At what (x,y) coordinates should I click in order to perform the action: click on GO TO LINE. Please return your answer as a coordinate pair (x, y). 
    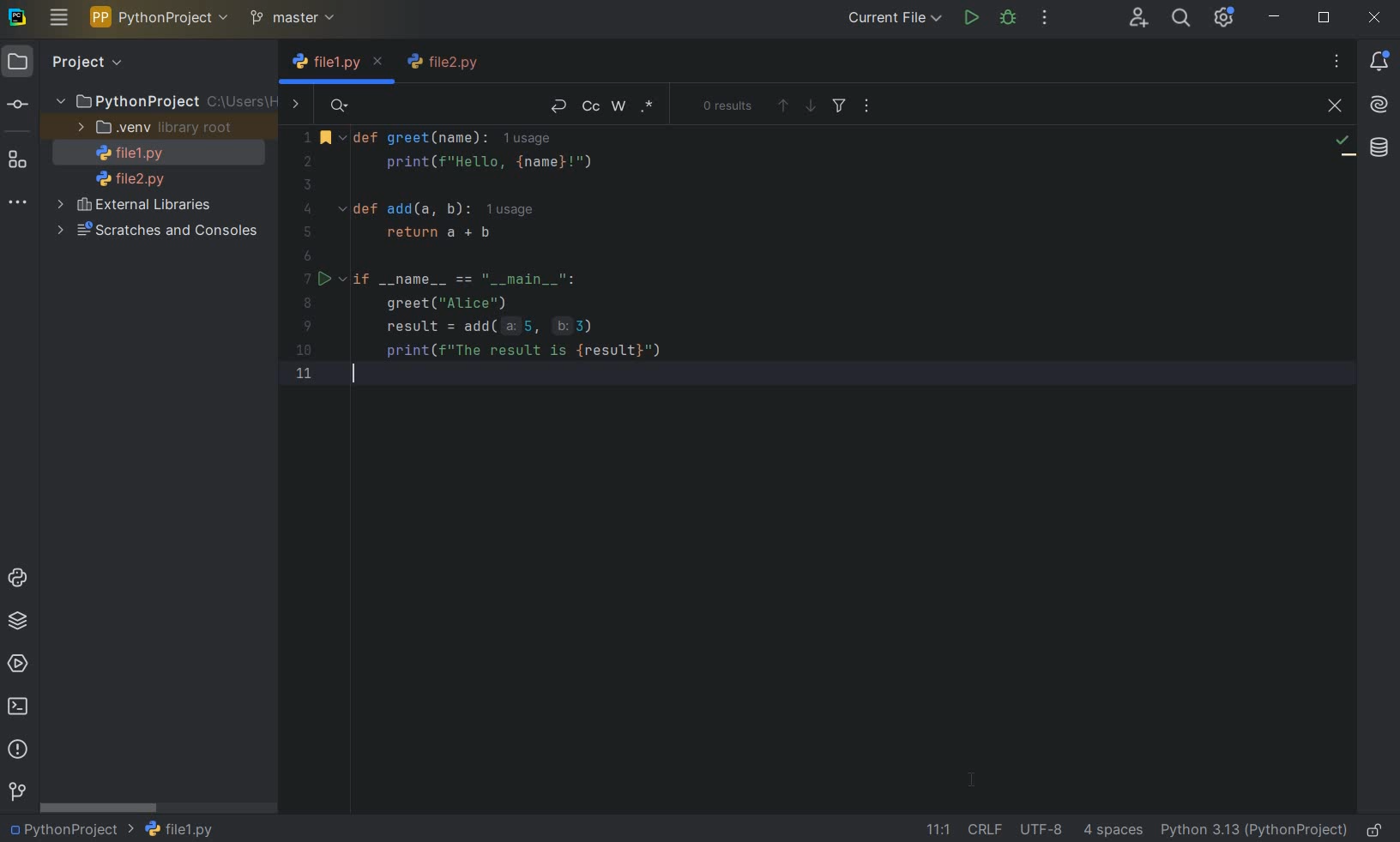
    Looking at the image, I should click on (936, 827).